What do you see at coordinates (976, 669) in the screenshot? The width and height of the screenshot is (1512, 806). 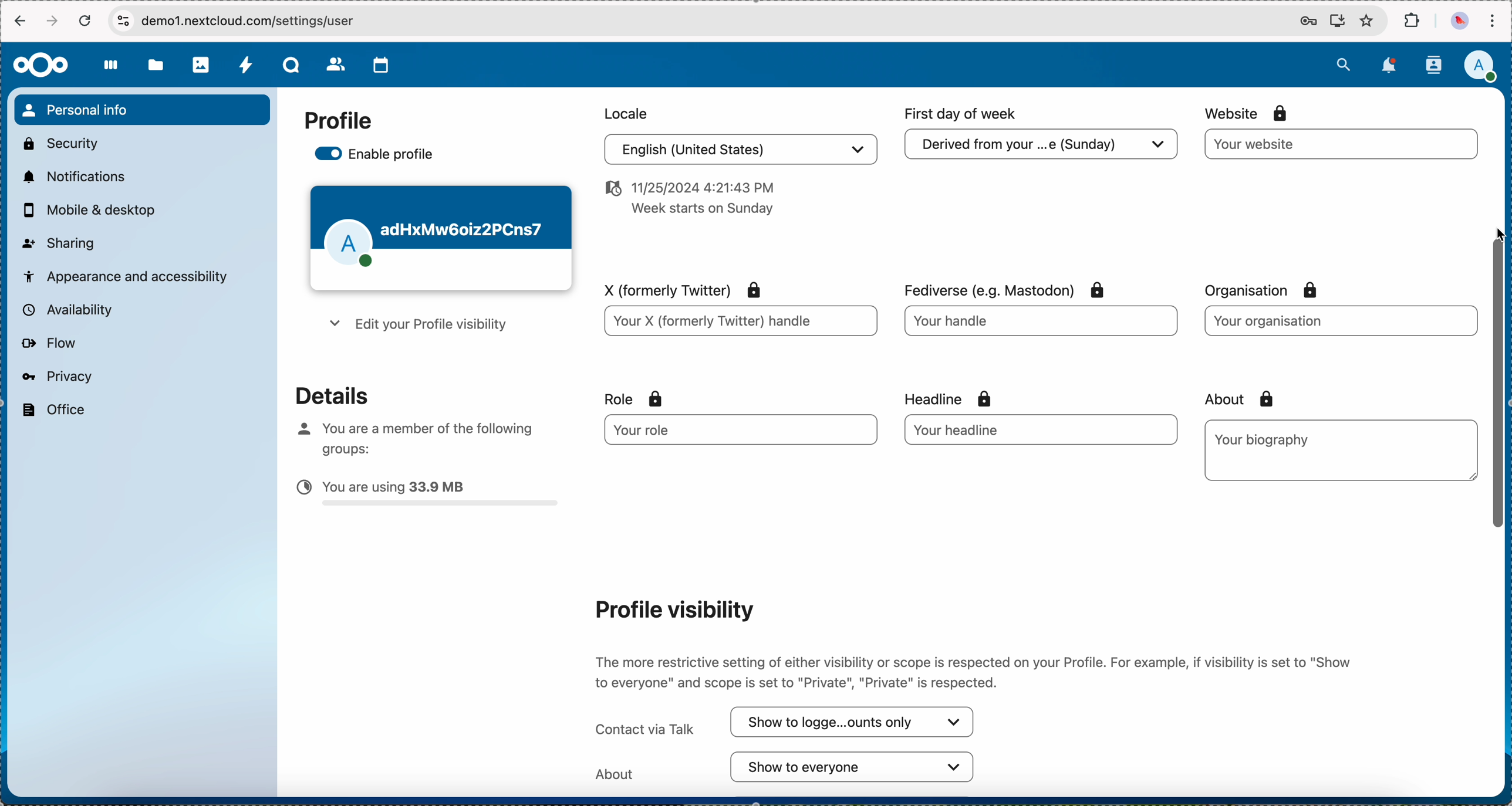 I see `description` at bounding box center [976, 669].